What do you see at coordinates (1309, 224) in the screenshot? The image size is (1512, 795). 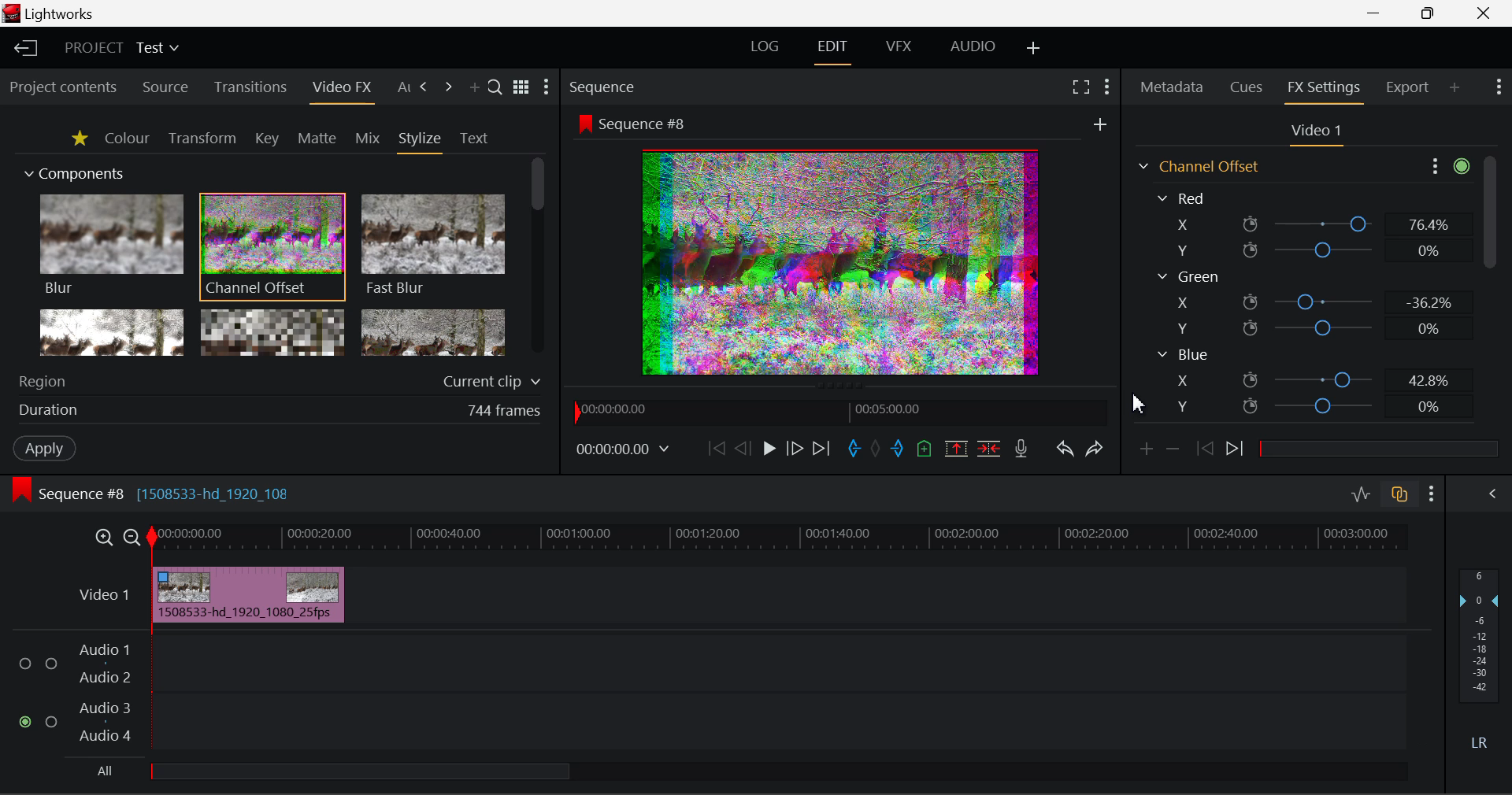 I see `Red X` at bounding box center [1309, 224].